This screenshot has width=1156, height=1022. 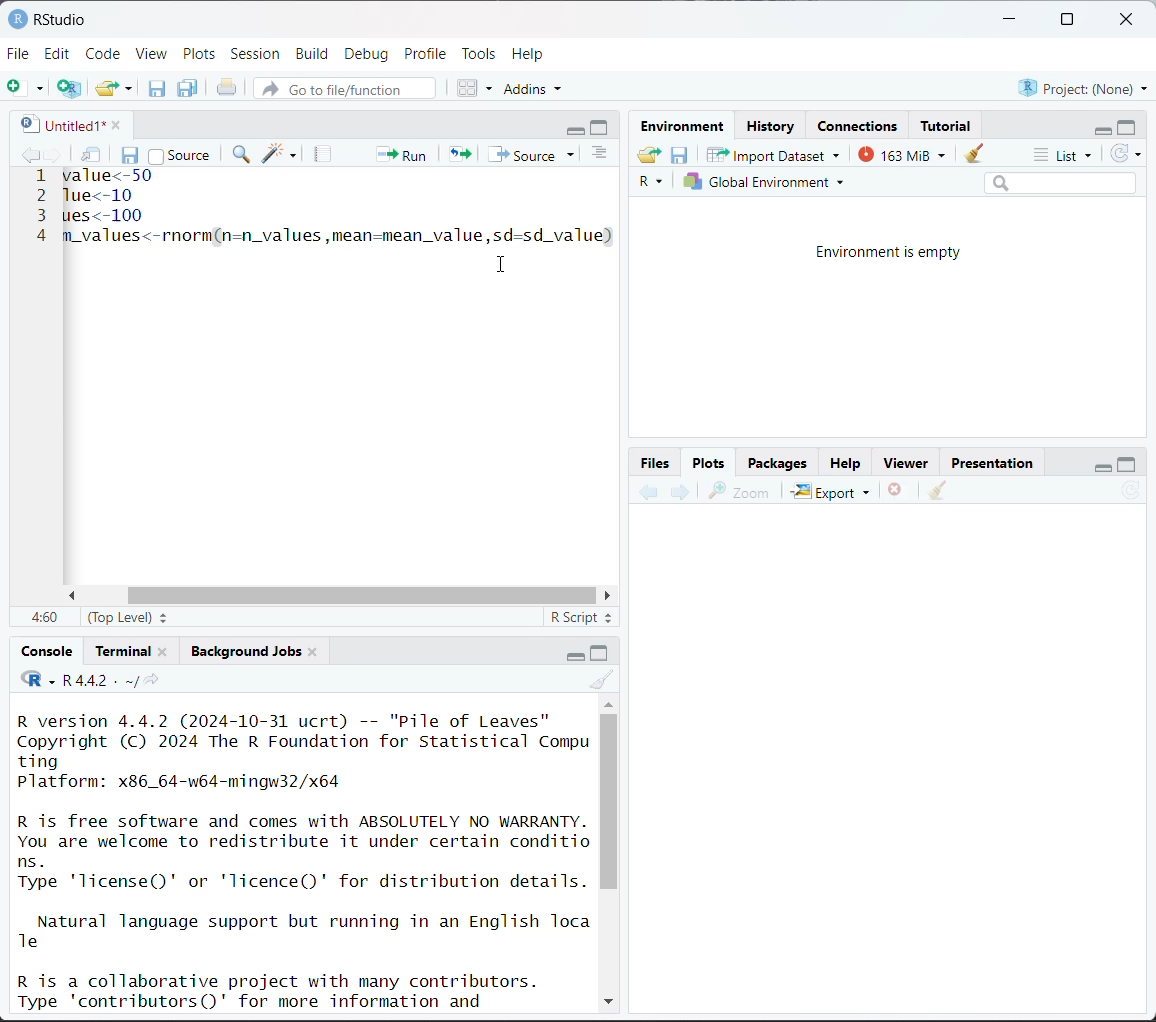 I want to click on Plots, so click(x=709, y=461).